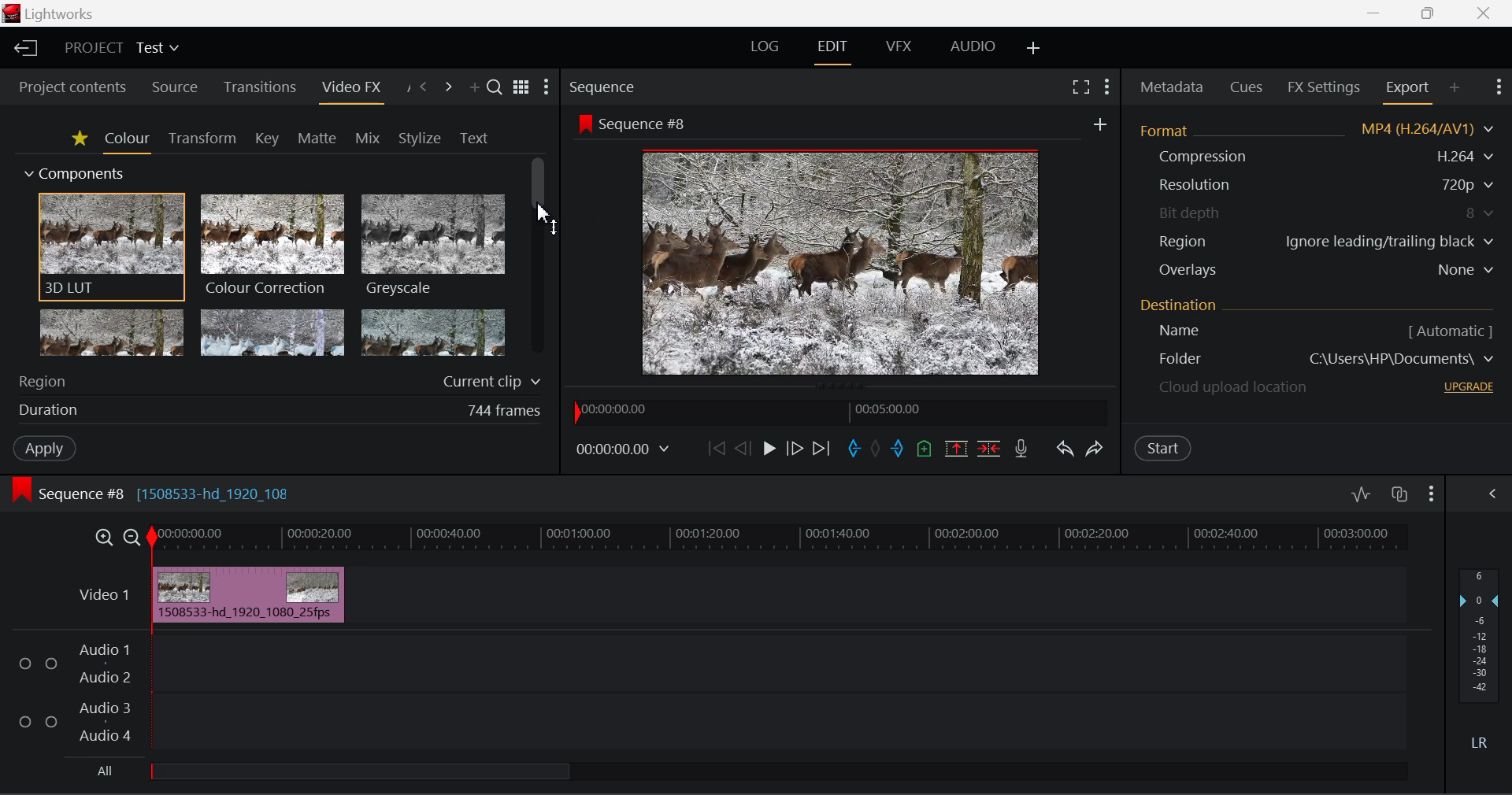  What do you see at coordinates (794, 449) in the screenshot?
I see `Go Forward` at bounding box center [794, 449].